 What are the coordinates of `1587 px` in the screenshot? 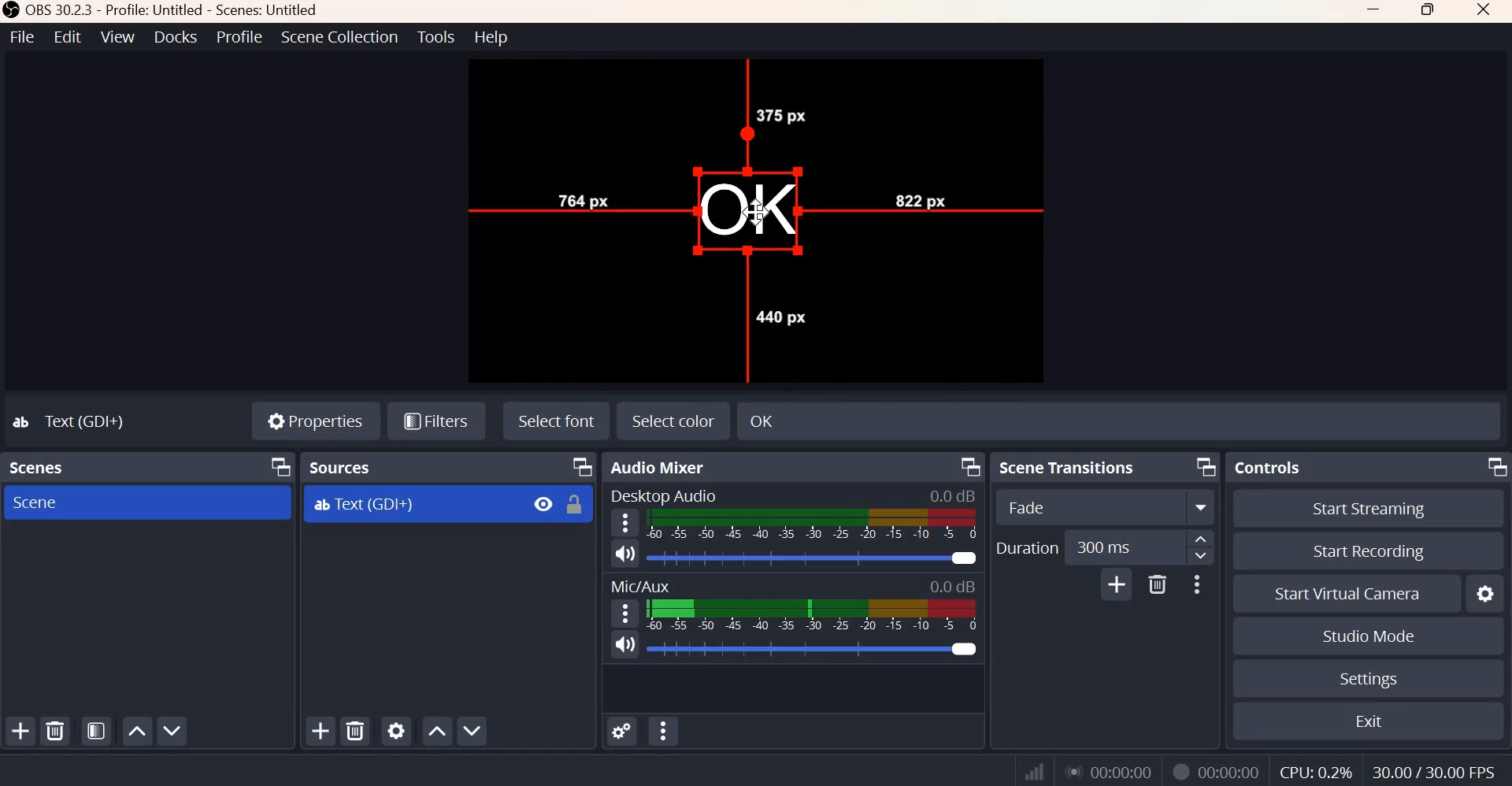 It's located at (806, 83).